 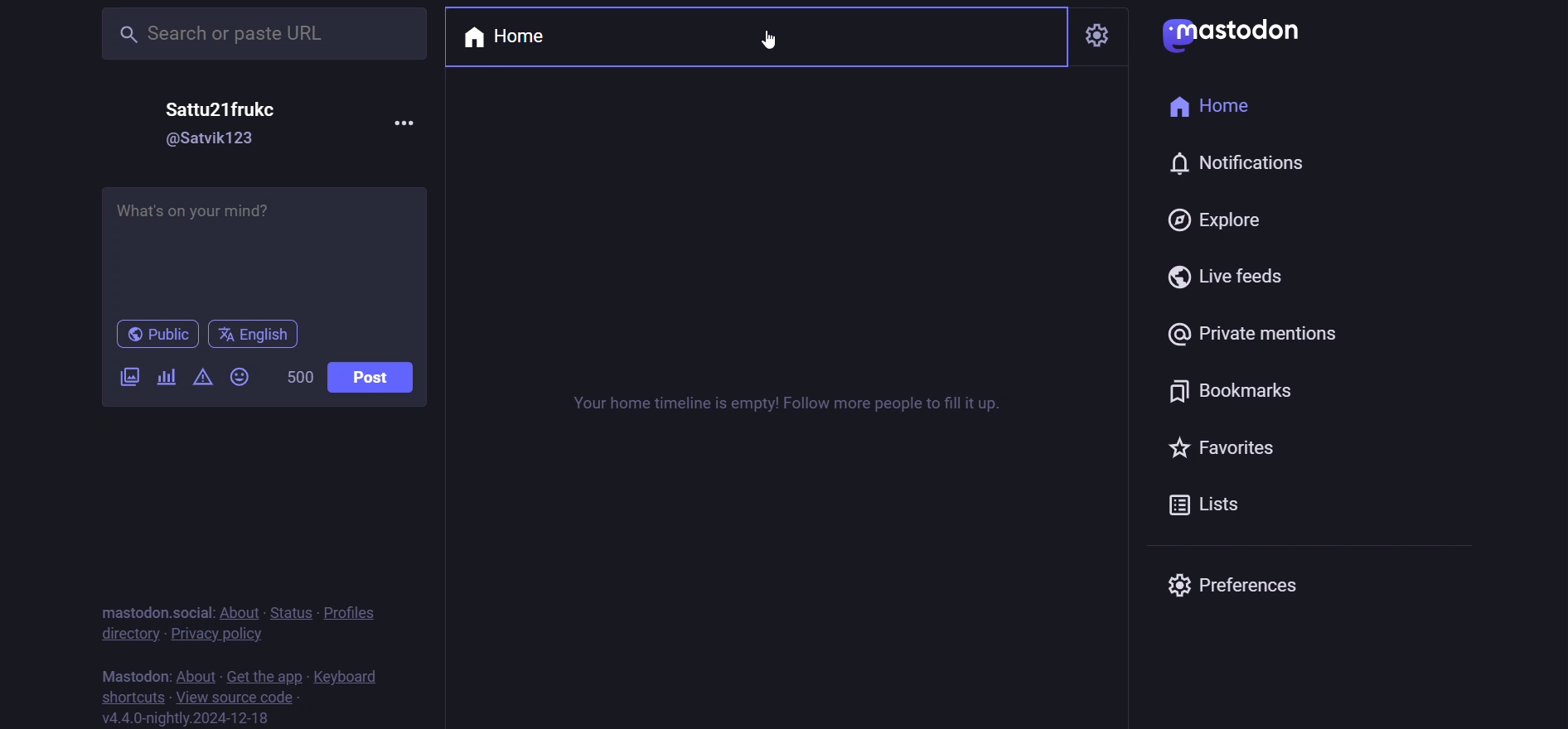 What do you see at coordinates (216, 140) in the screenshot?
I see `id` at bounding box center [216, 140].